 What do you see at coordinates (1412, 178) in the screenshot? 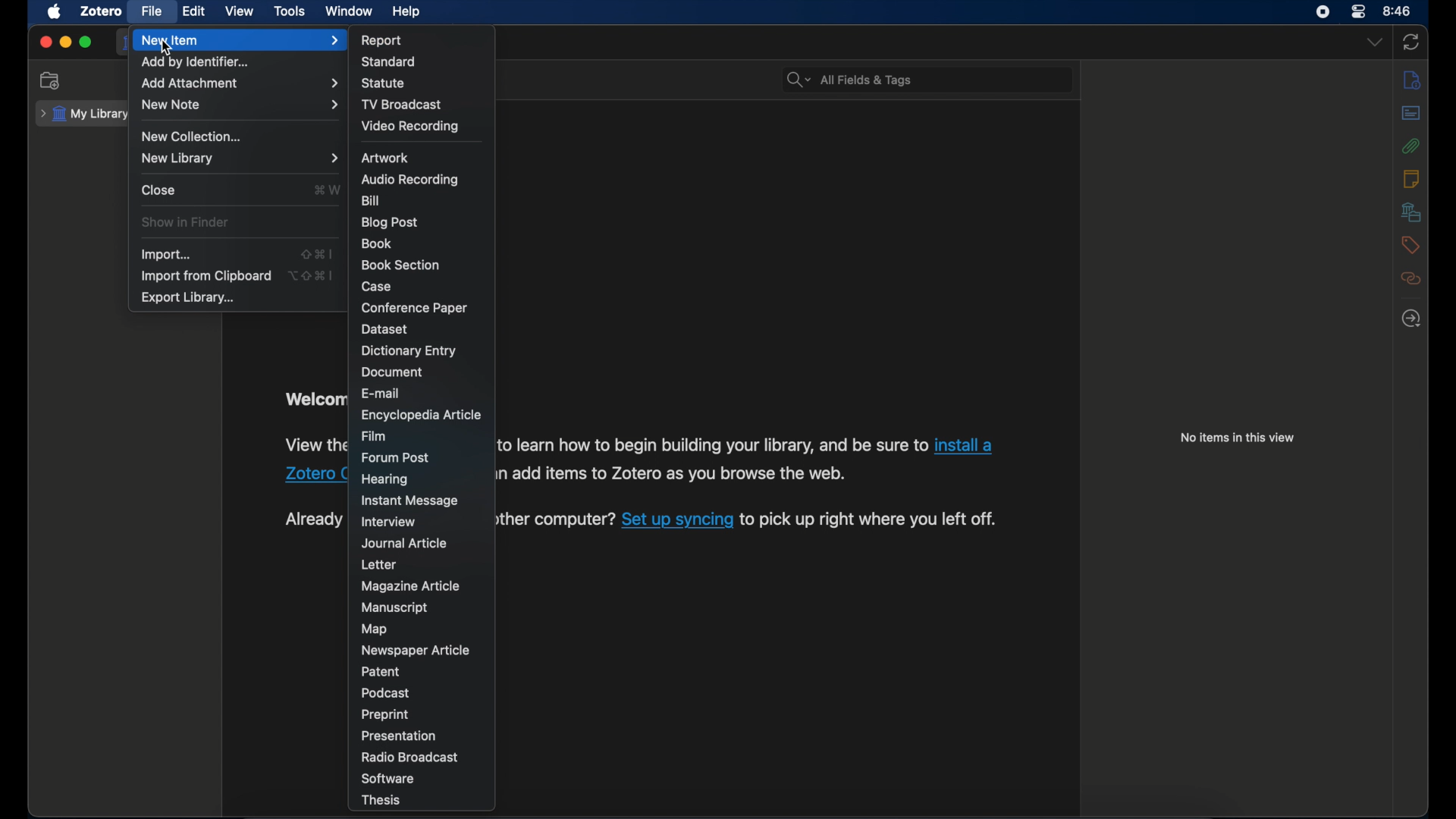
I see `notes` at bounding box center [1412, 178].